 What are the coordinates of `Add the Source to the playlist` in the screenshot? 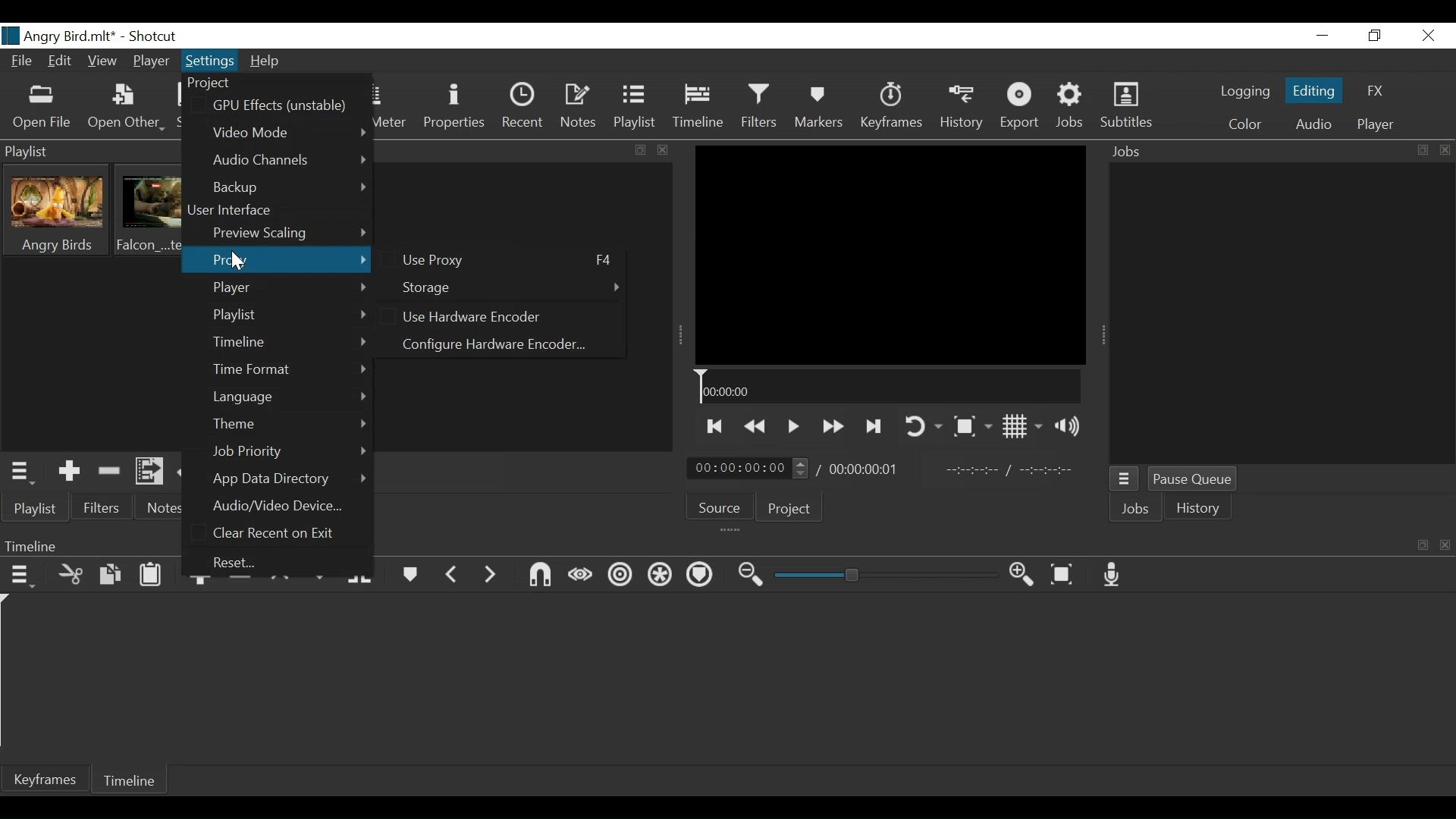 It's located at (67, 471).